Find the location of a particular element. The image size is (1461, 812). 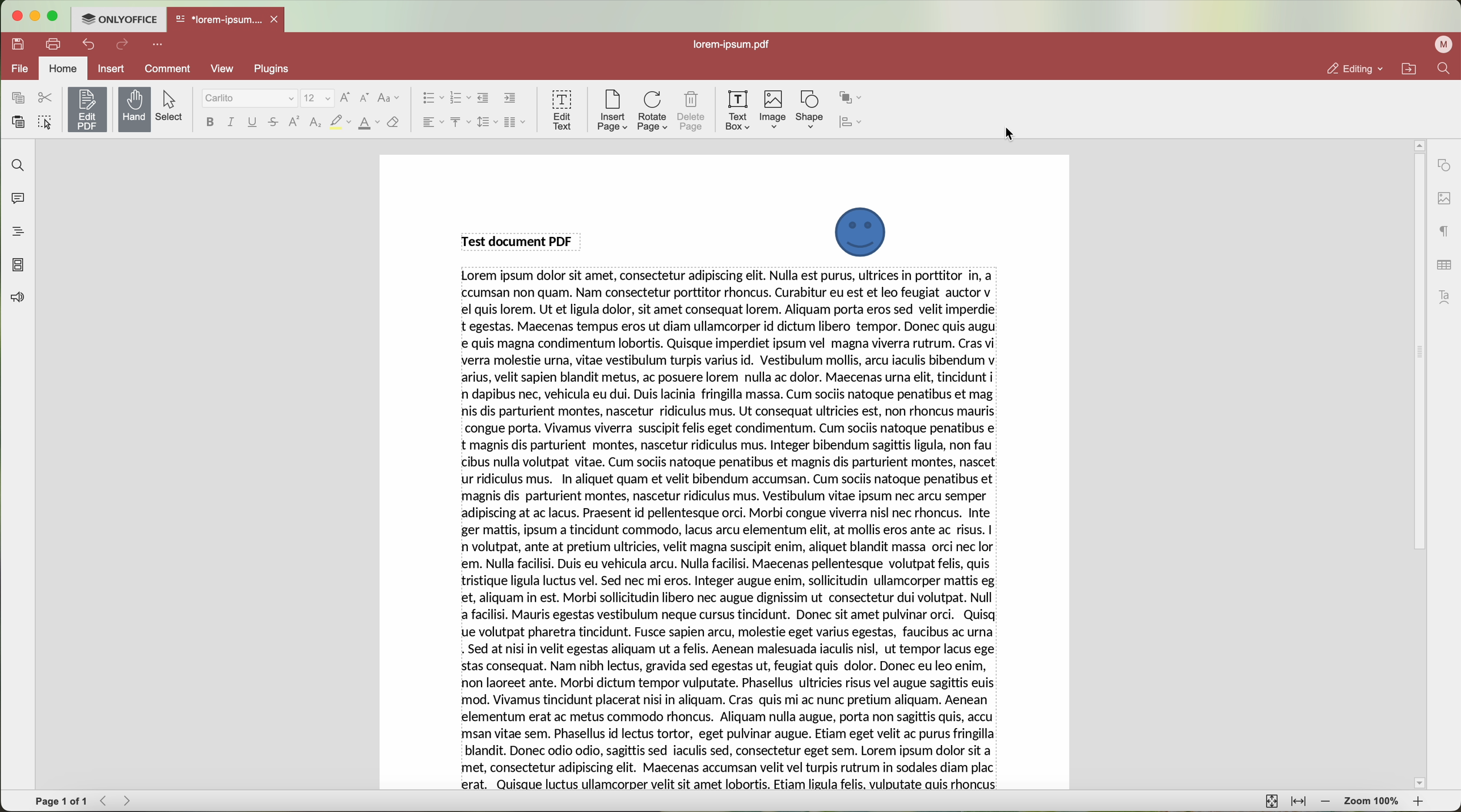

superscript is located at coordinates (293, 122).